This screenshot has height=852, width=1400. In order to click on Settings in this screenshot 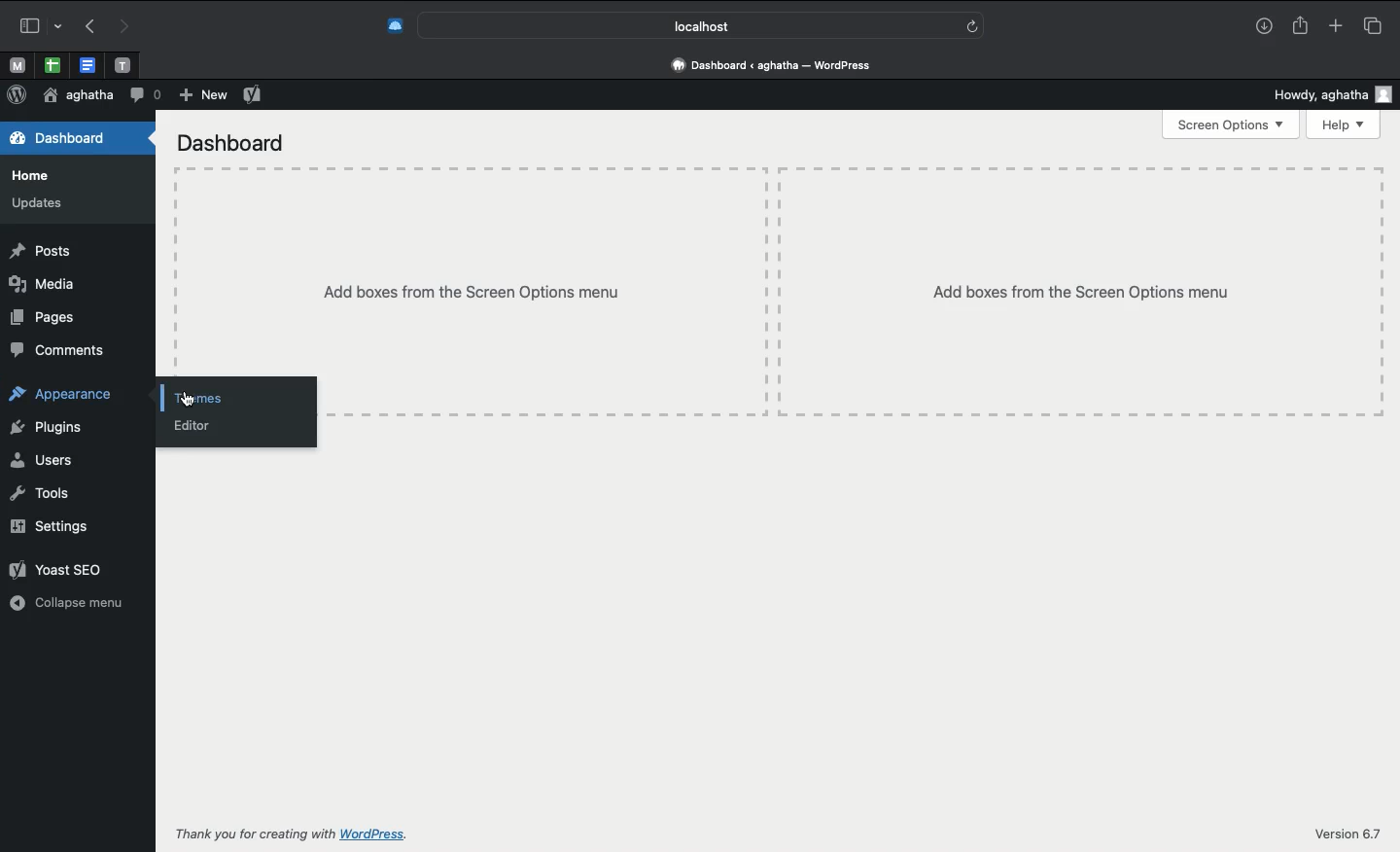, I will do `click(48, 527)`.